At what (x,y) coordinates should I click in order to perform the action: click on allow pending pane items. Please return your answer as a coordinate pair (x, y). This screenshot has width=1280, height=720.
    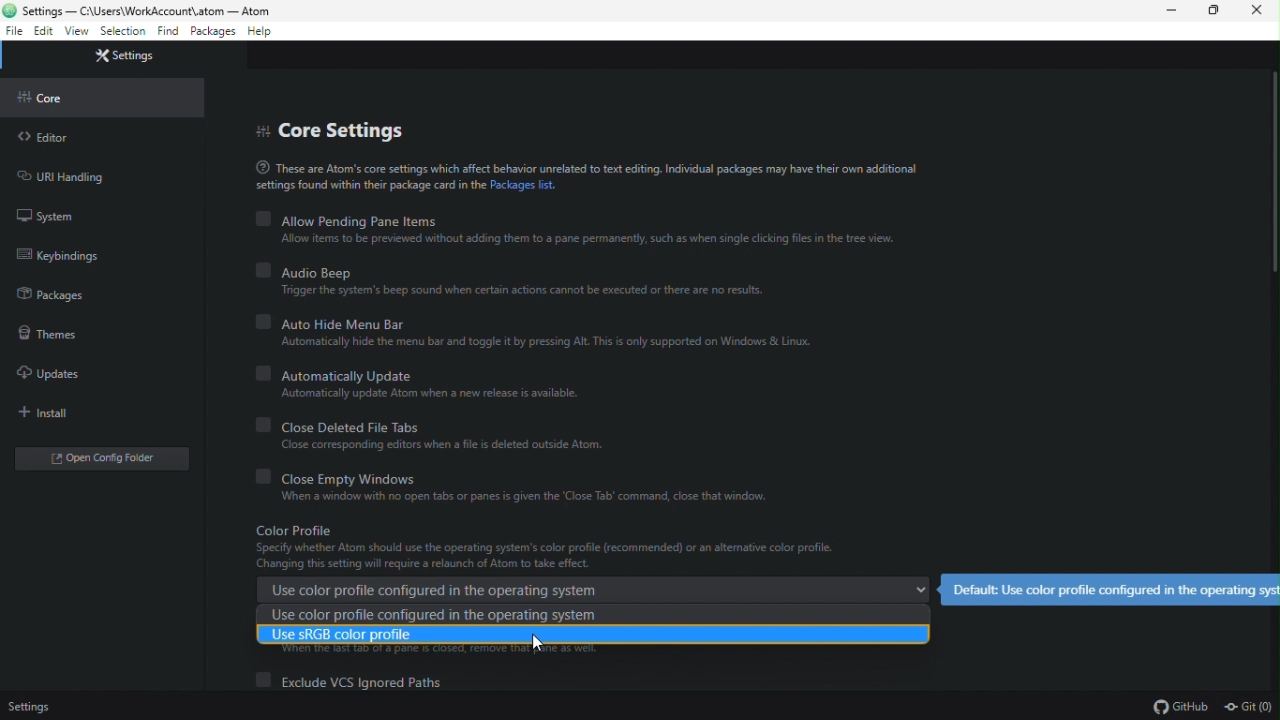
    Looking at the image, I should click on (575, 229).